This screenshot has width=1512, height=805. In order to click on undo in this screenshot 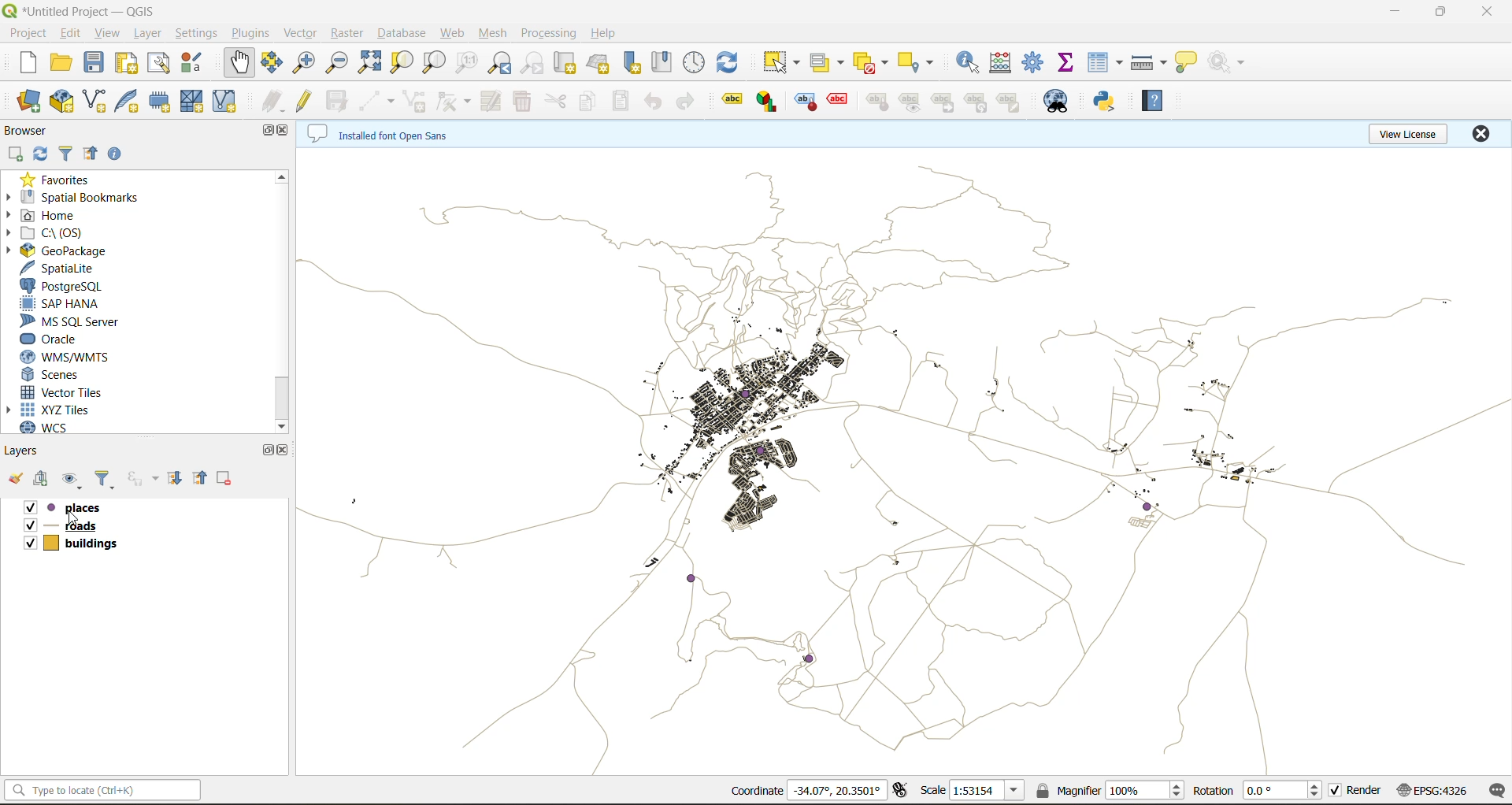, I will do `click(654, 100)`.